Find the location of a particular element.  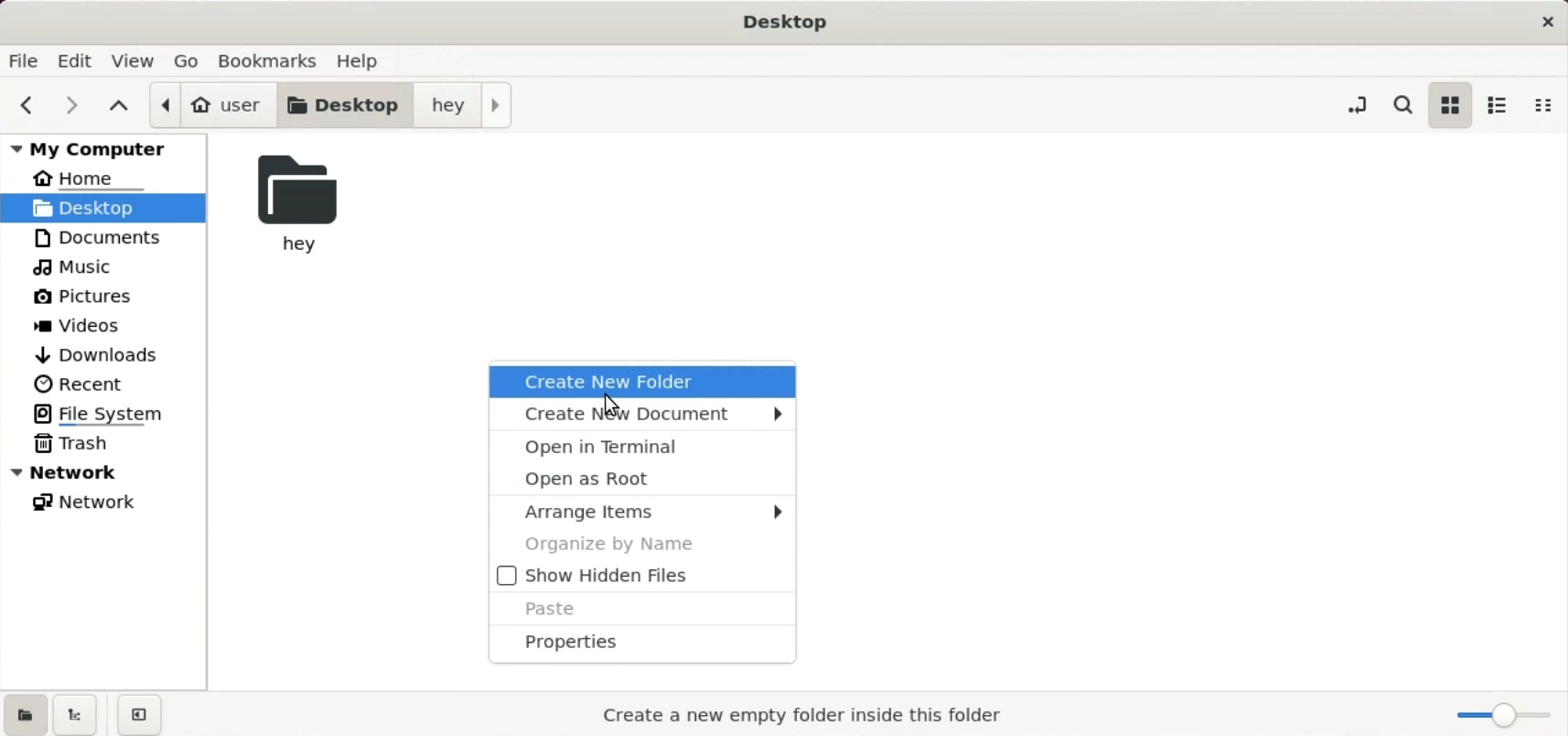

file is located at coordinates (25, 60).